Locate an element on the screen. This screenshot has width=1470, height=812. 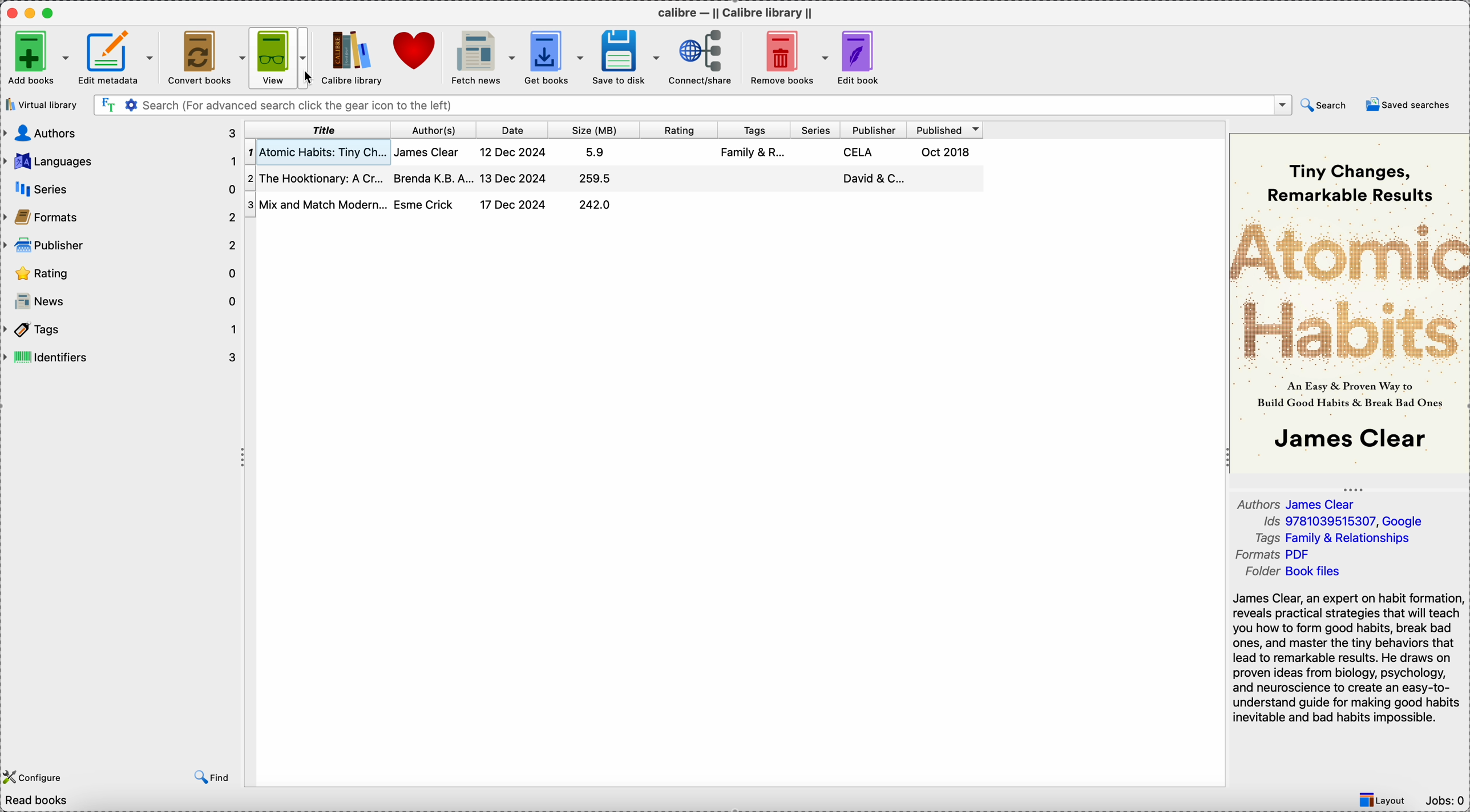
rating is located at coordinates (120, 272).